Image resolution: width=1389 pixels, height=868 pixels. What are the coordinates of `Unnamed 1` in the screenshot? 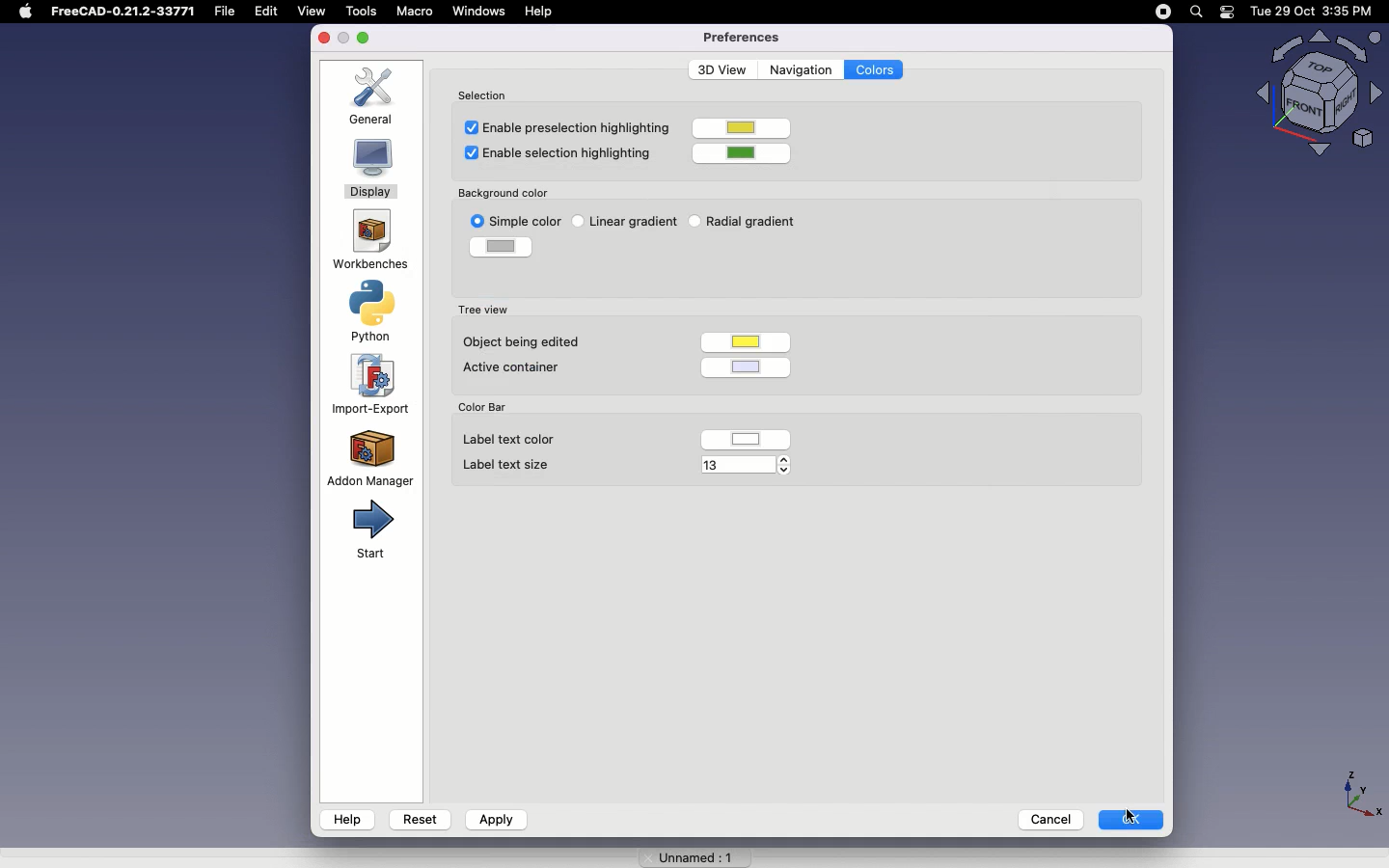 It's located at (688, 854).